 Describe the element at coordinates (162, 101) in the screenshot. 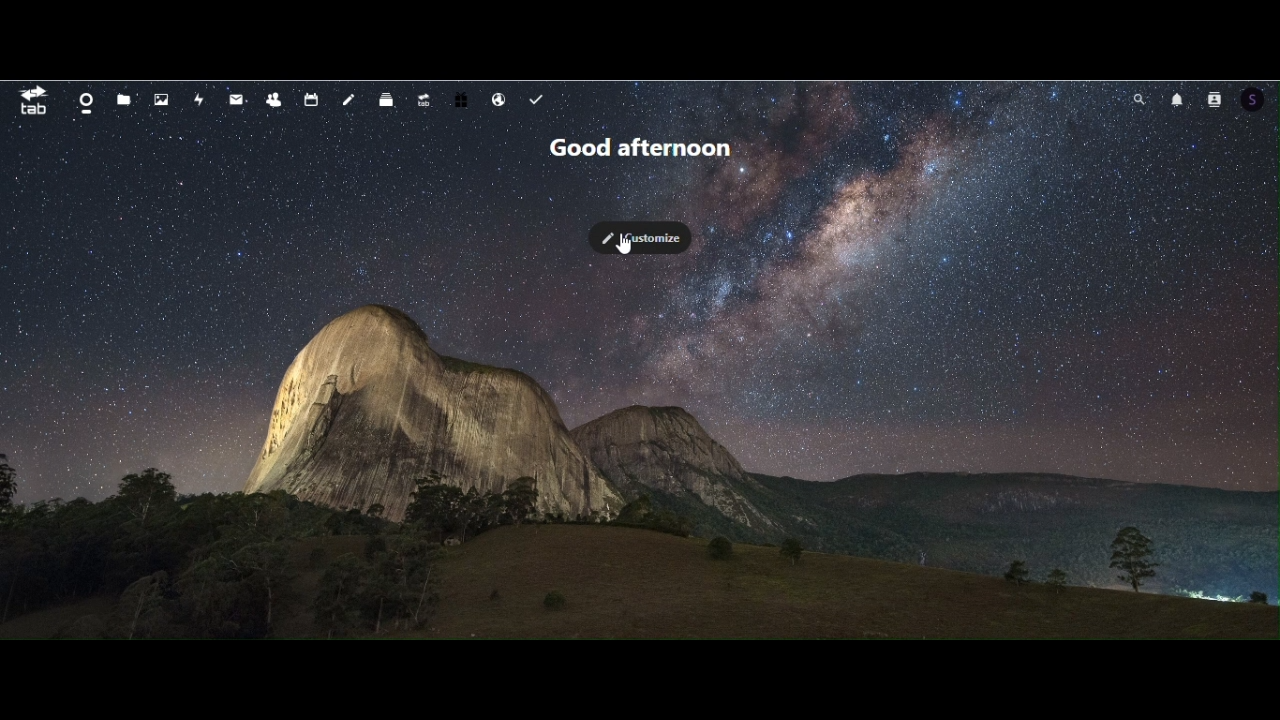

I see `Photos` at that location.